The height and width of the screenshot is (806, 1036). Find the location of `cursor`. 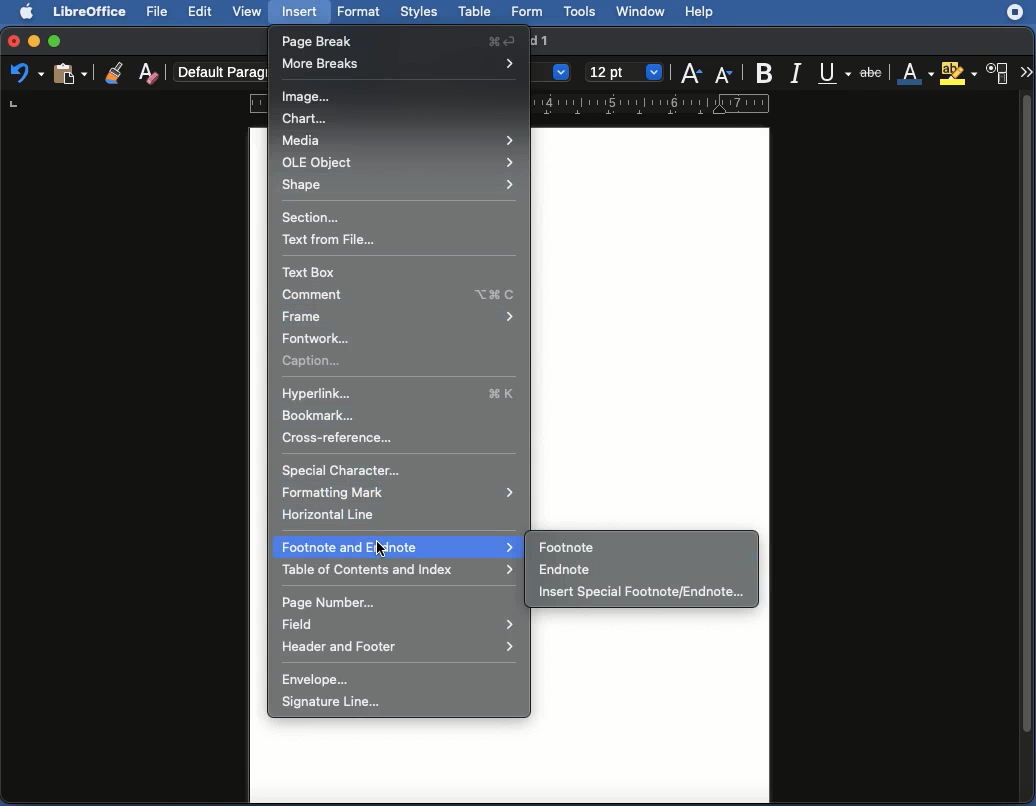

cursor is located at coordinates (378, 547).